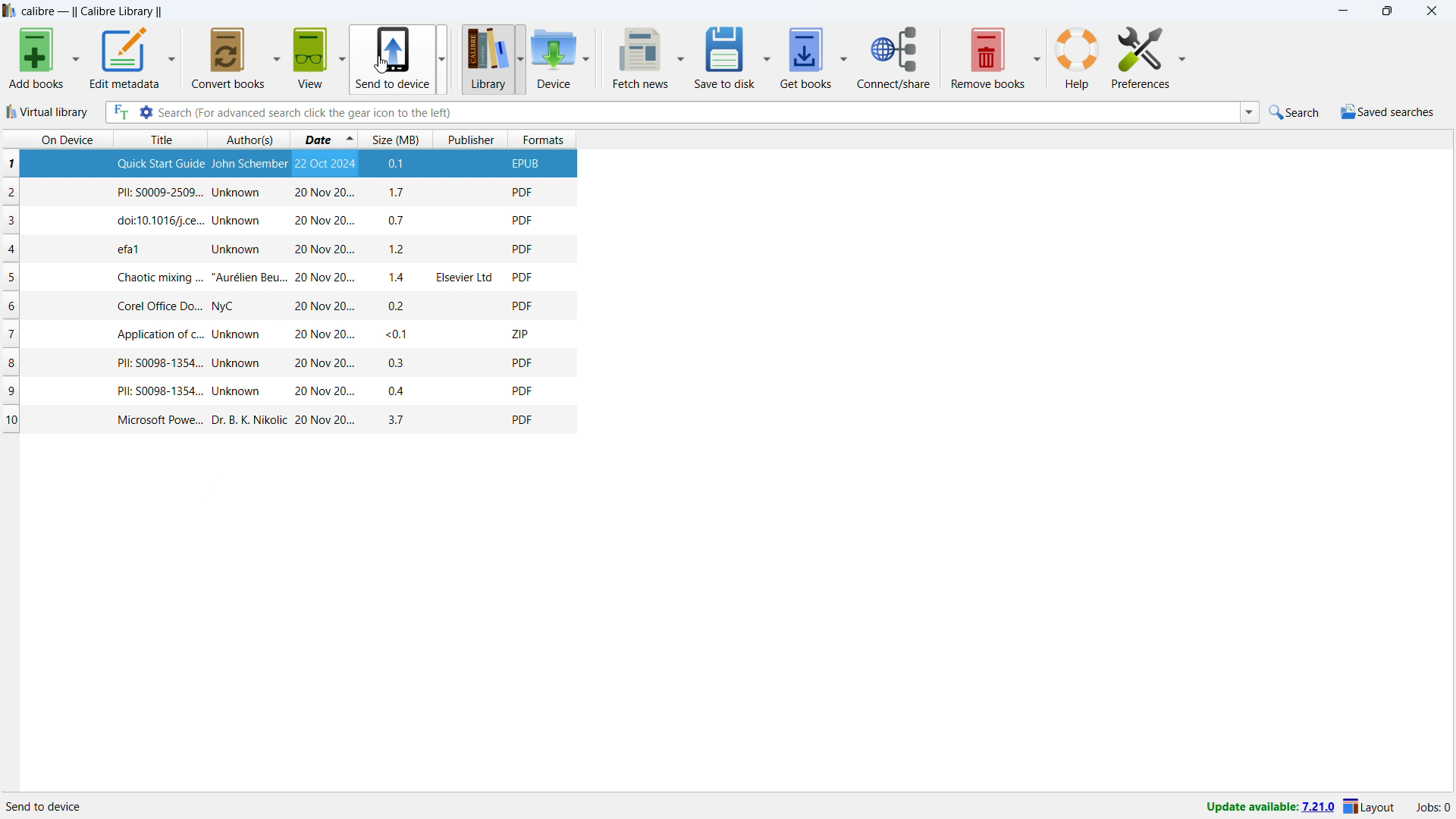  I want to click on remove books options, so click(1038, 56).